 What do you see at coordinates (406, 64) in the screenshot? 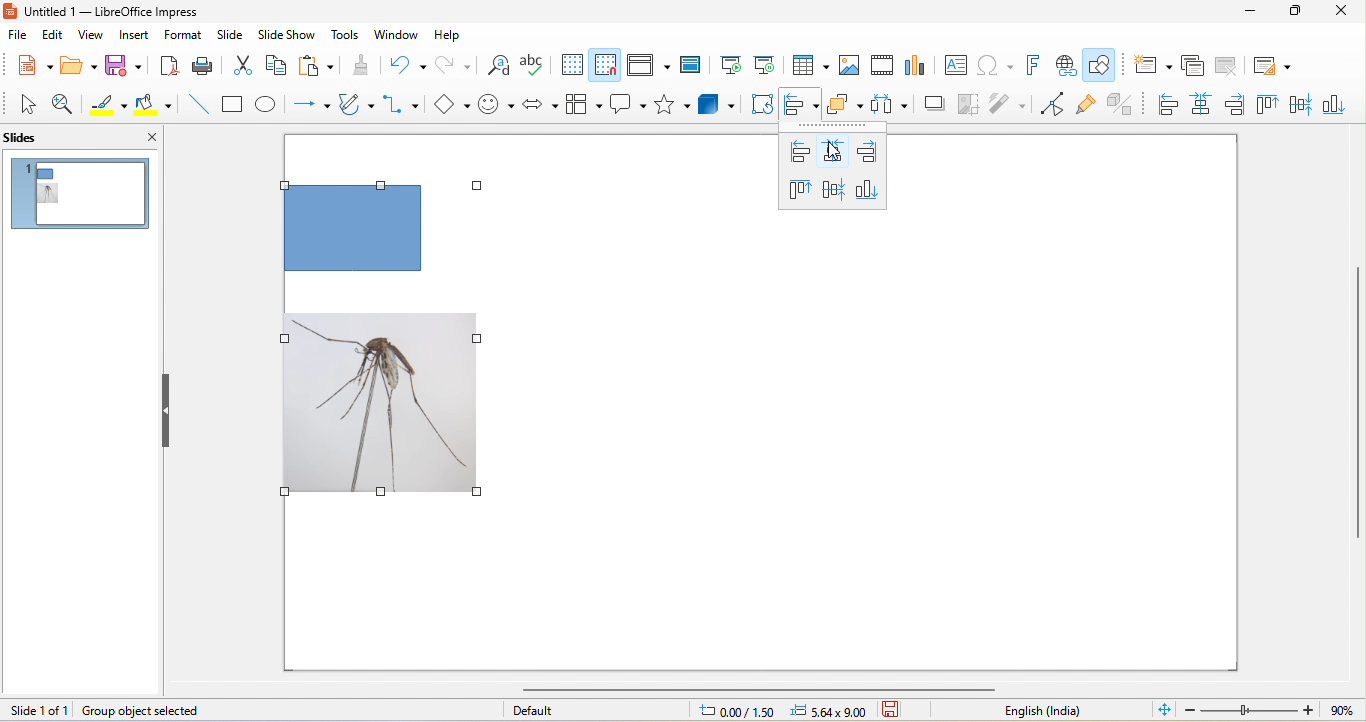
I see `undo` at bounding box center [406, 64].